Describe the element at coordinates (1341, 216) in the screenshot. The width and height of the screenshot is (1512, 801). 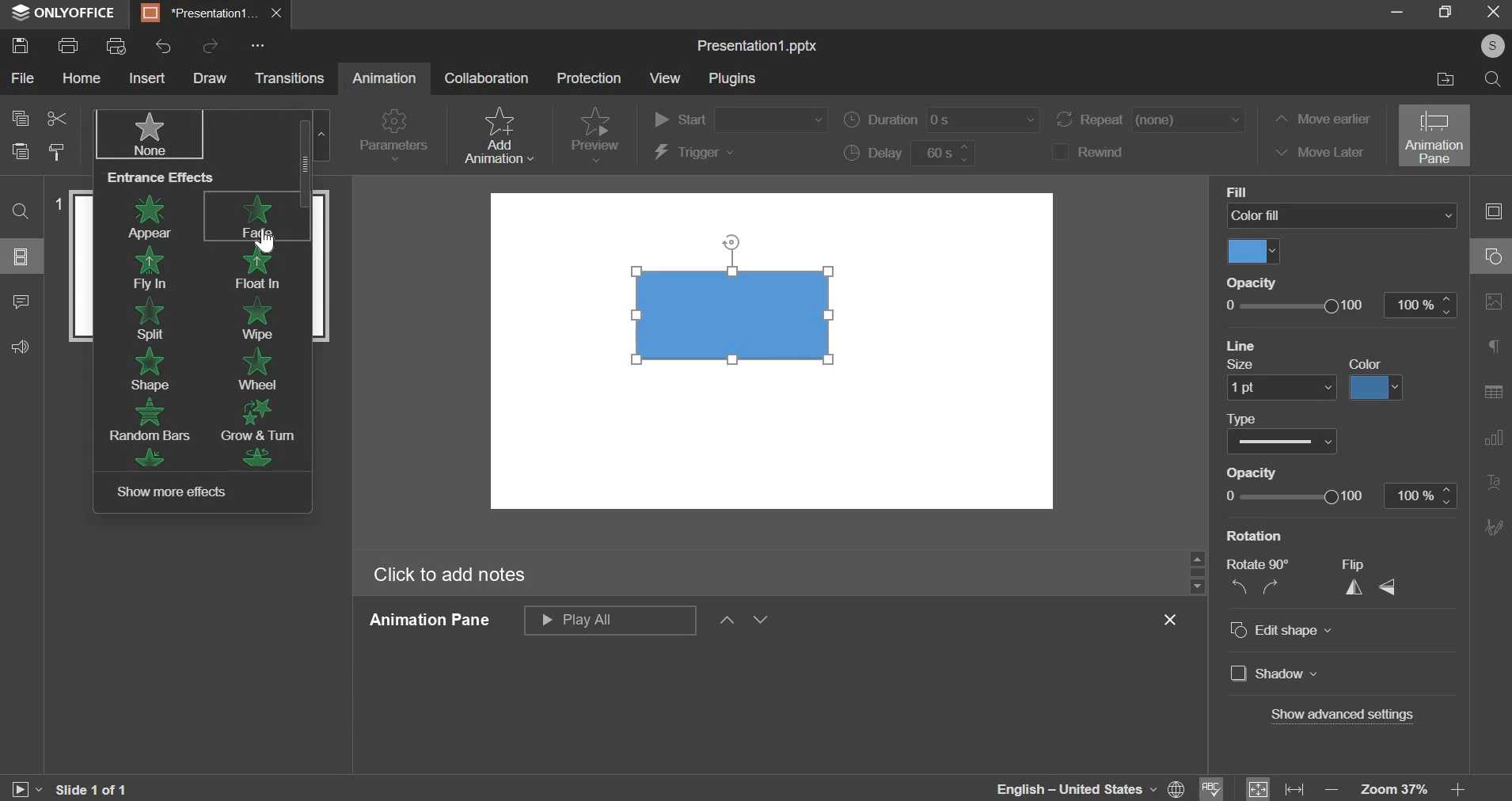
I see `color fill` at that location.